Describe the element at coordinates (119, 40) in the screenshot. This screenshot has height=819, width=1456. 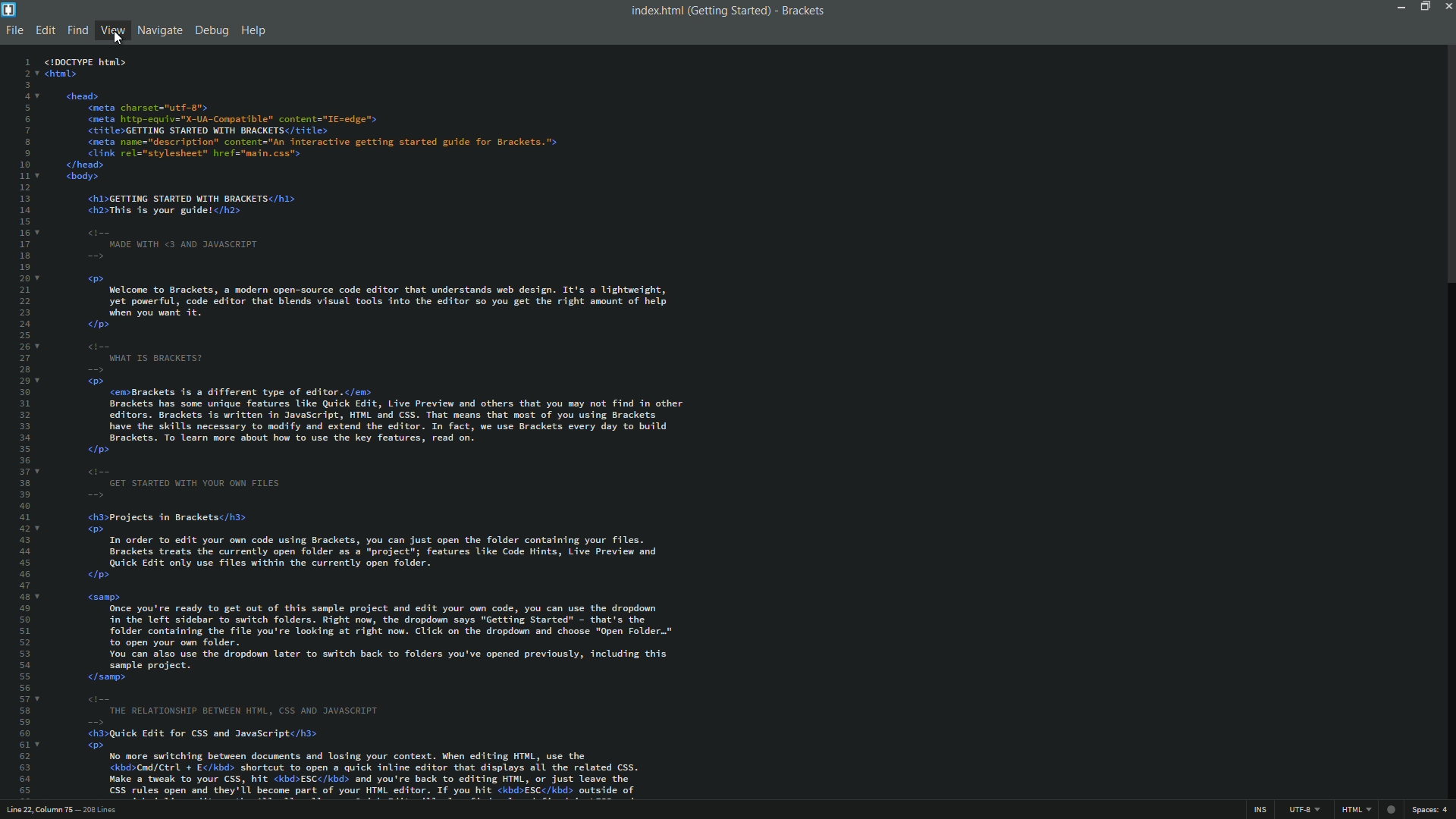
I see `cursor` at that location.